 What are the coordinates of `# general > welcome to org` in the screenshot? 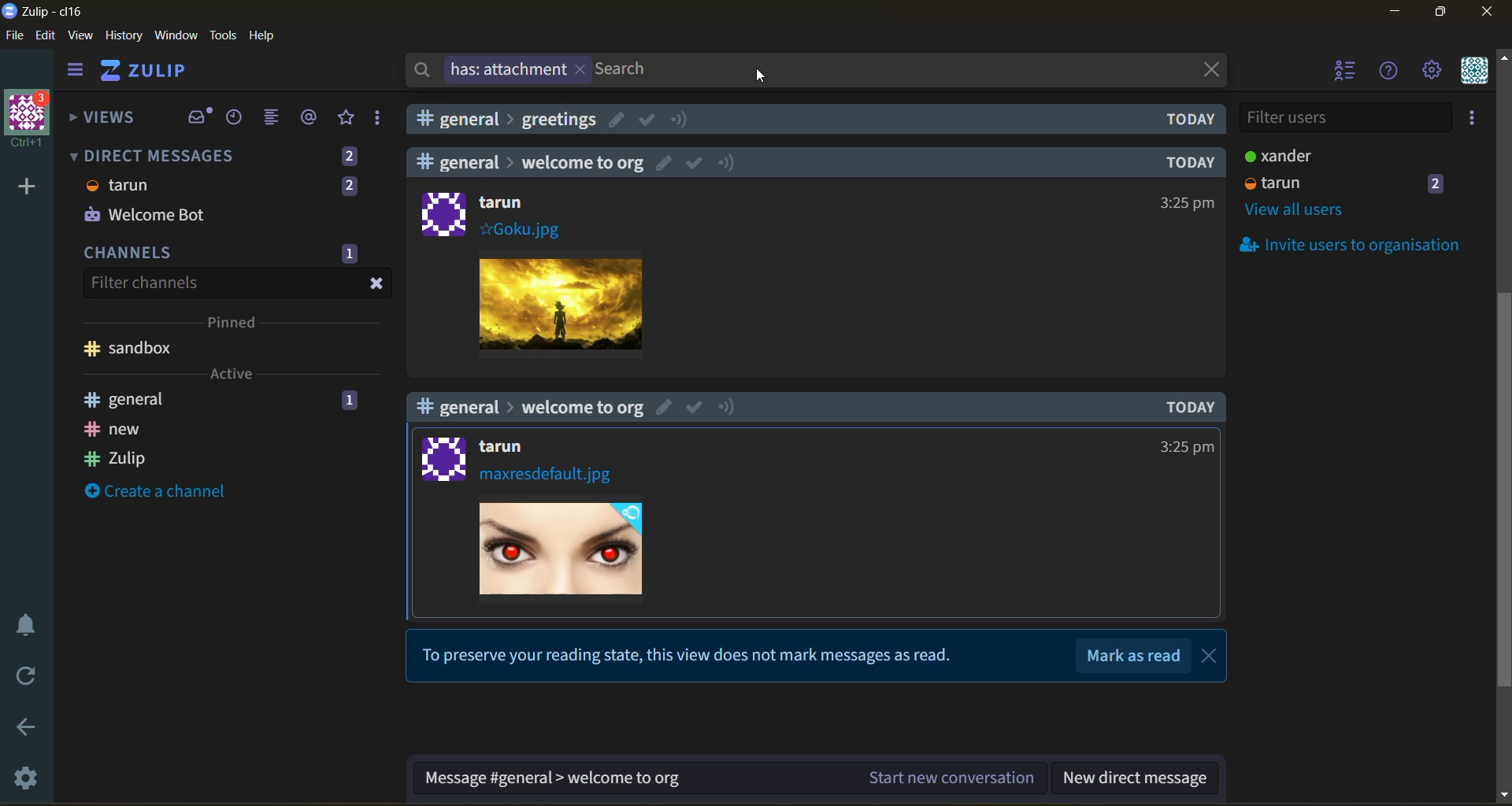 It's located at (528, 406).